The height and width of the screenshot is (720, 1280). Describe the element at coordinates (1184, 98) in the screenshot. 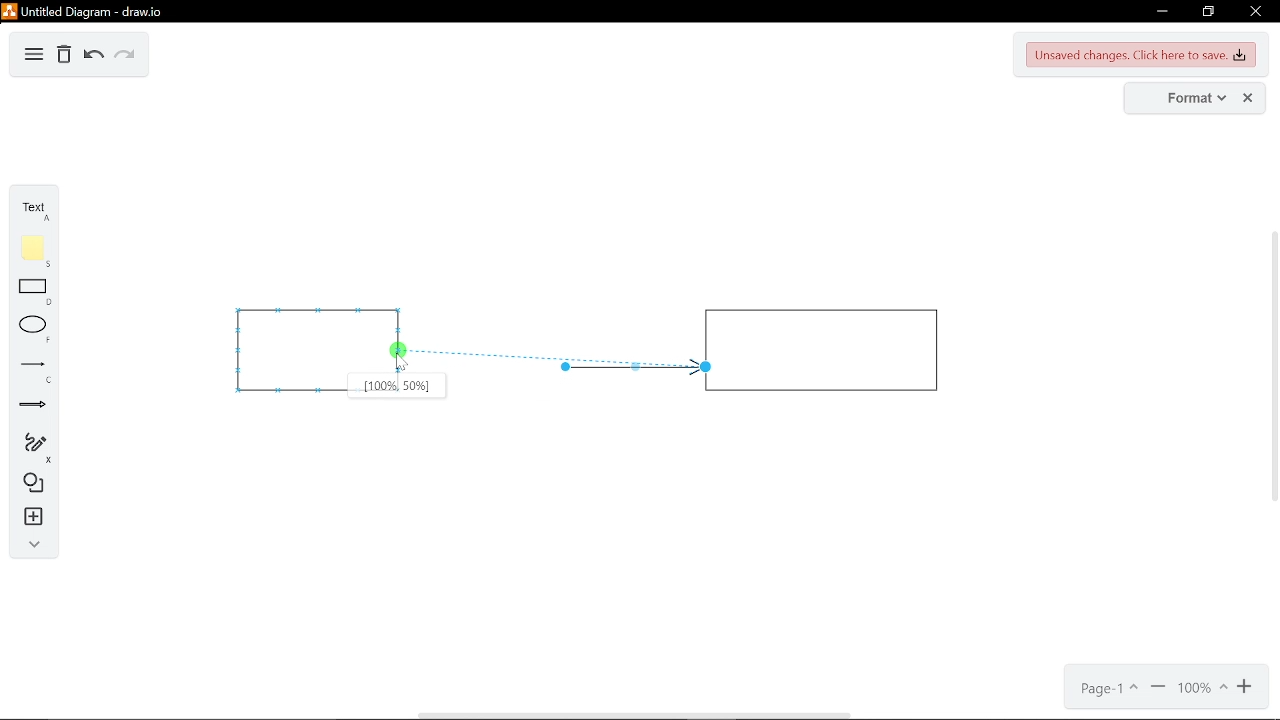

I see `format` at that location.